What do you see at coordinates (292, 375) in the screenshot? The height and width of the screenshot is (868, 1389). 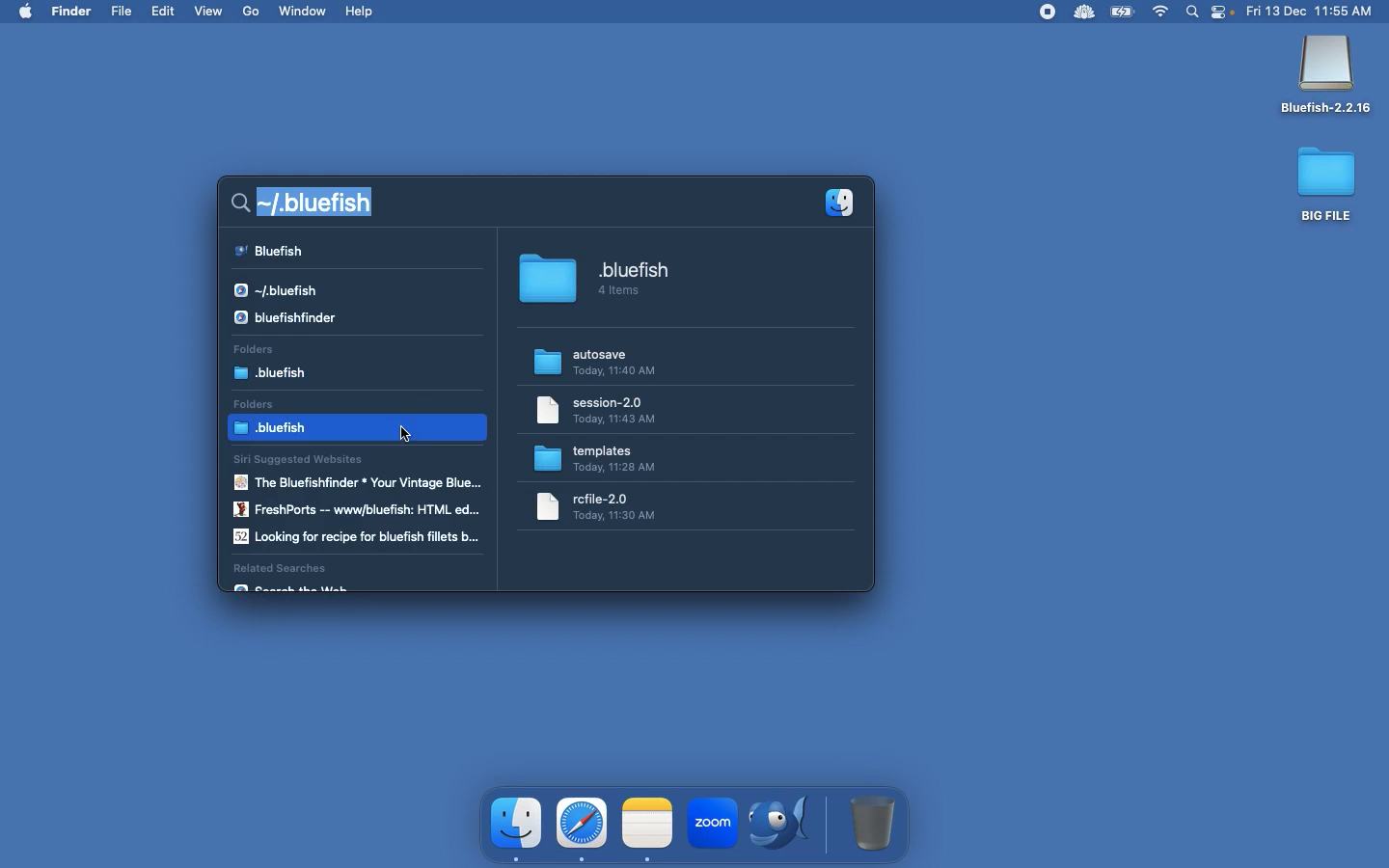 I see `bluefish` at bounding box center [292, 375].